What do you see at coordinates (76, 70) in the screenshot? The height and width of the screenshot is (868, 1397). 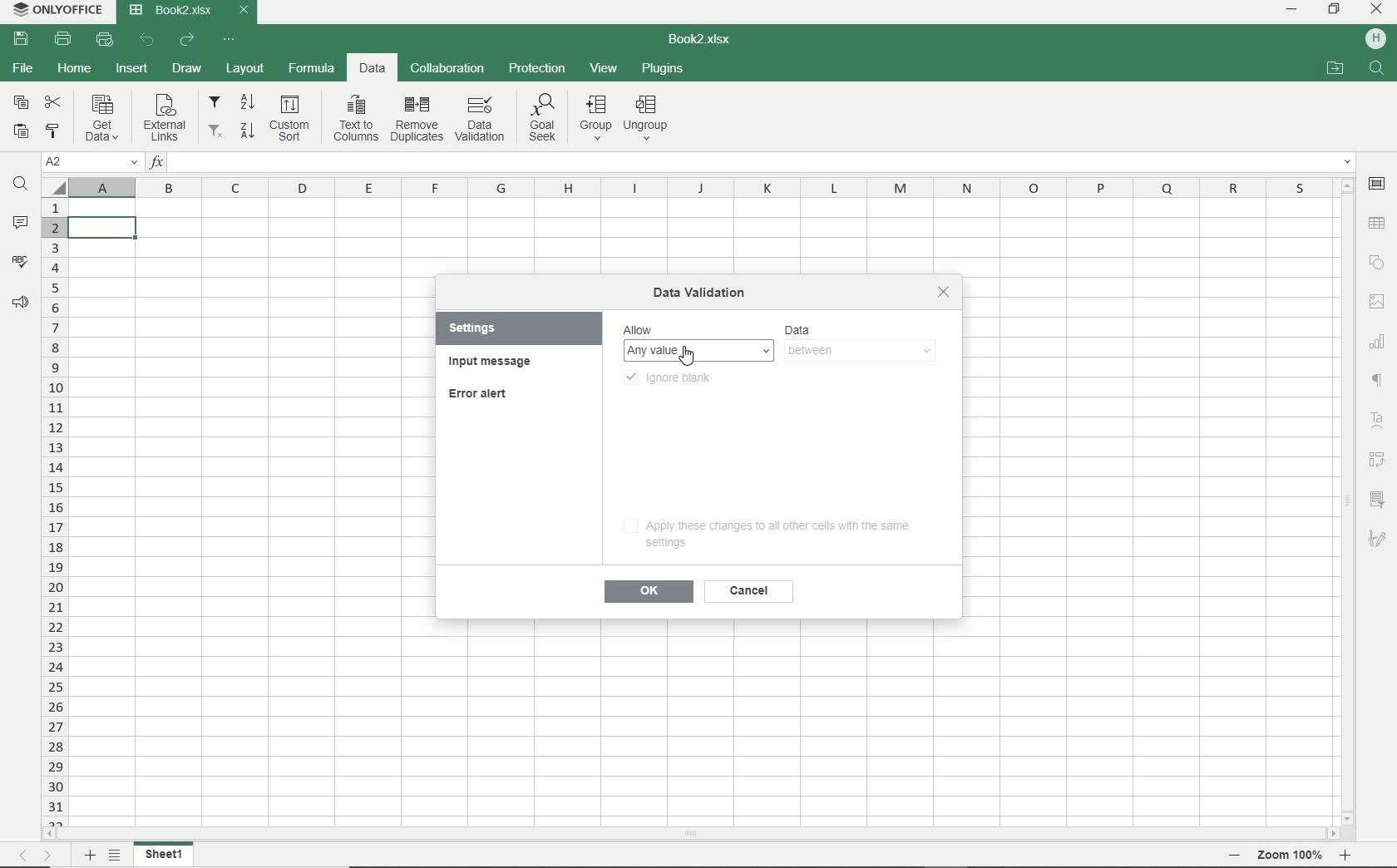 I see `HOME` at bounding box center [76, 70].